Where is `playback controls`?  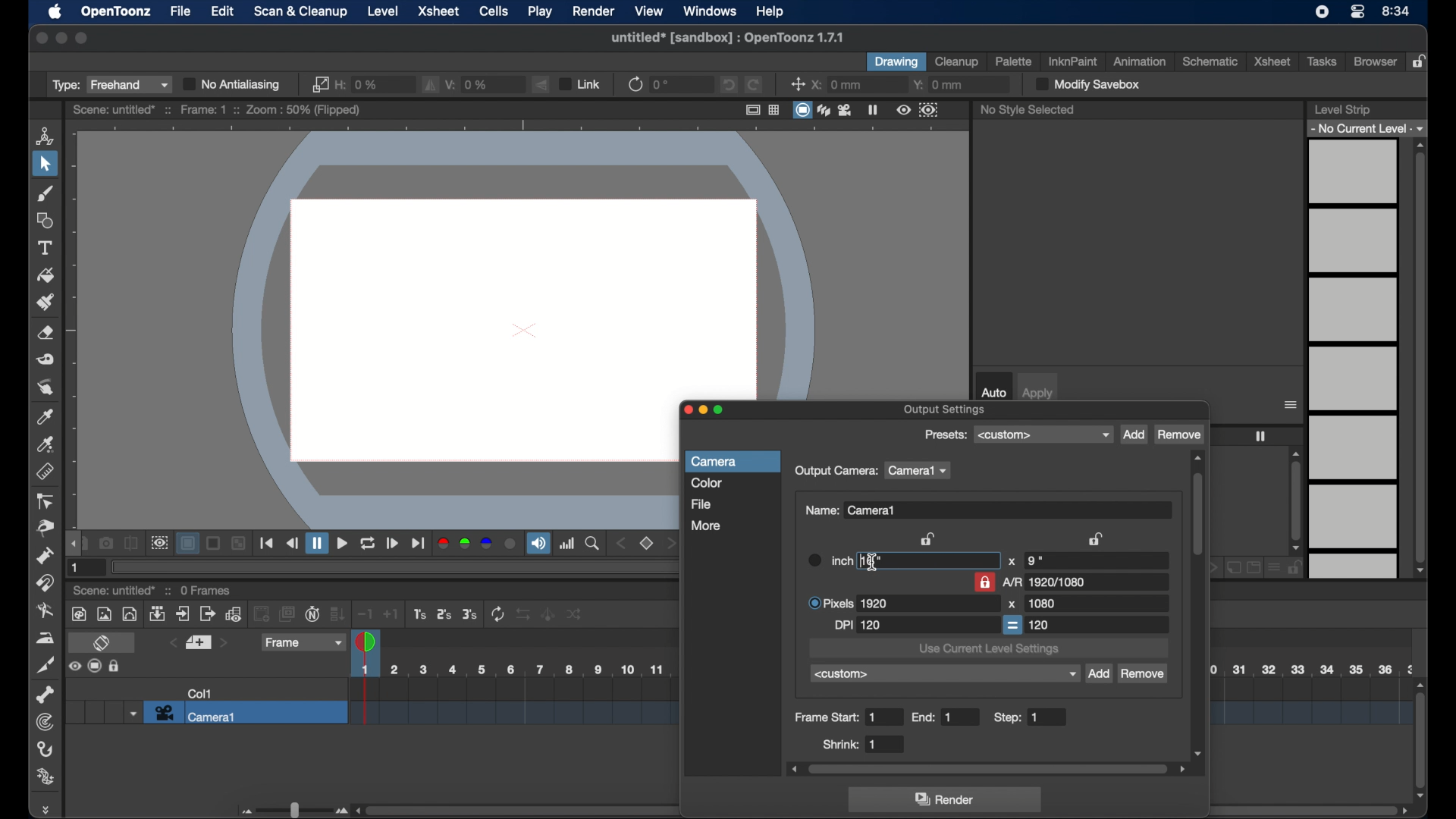 playback controls is located at coordinates (268, 543).